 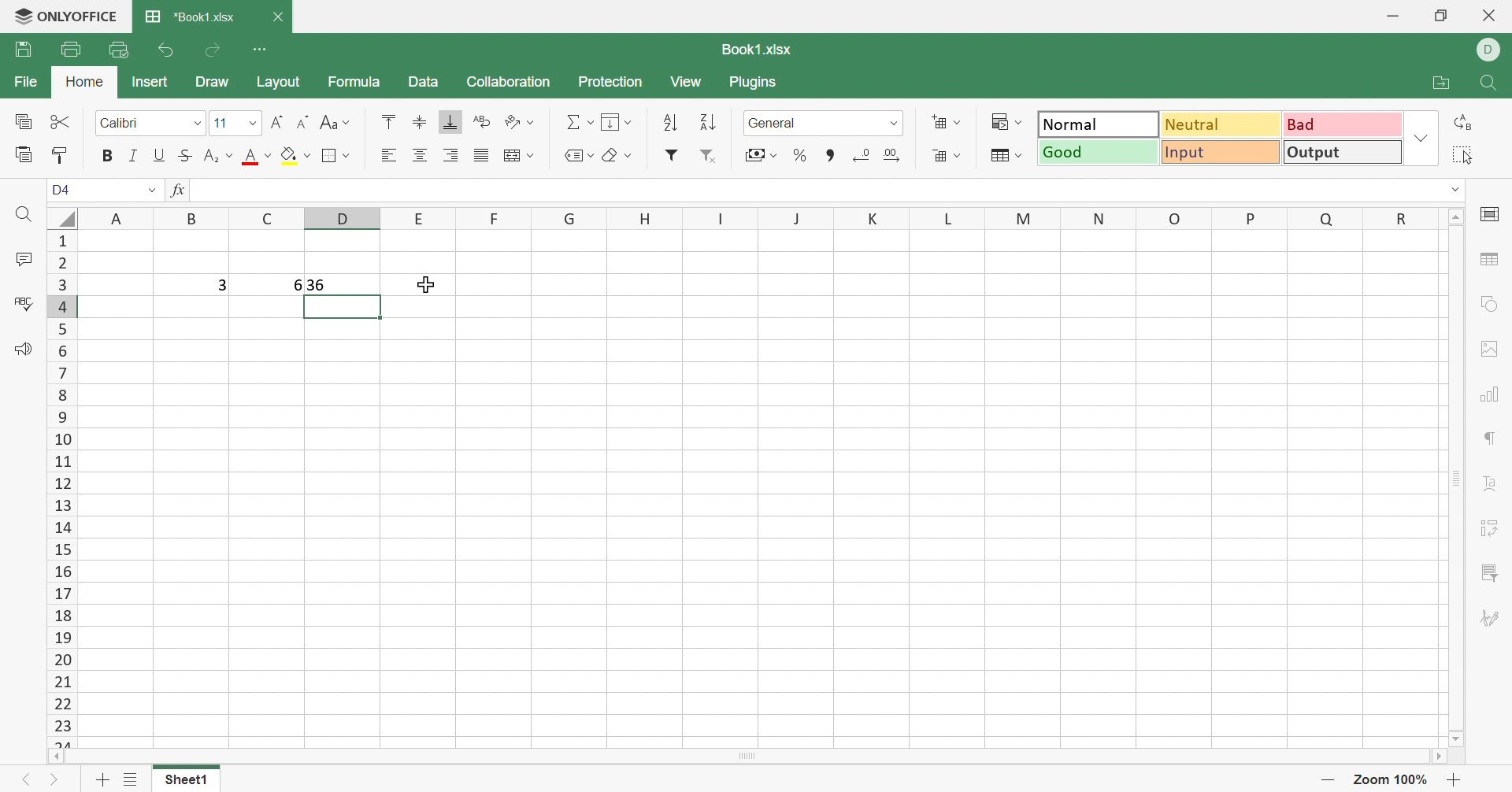 What do you see at coordinates (277, 17) in the screenshot?
I see `Close` at bounding box center [277, 17].